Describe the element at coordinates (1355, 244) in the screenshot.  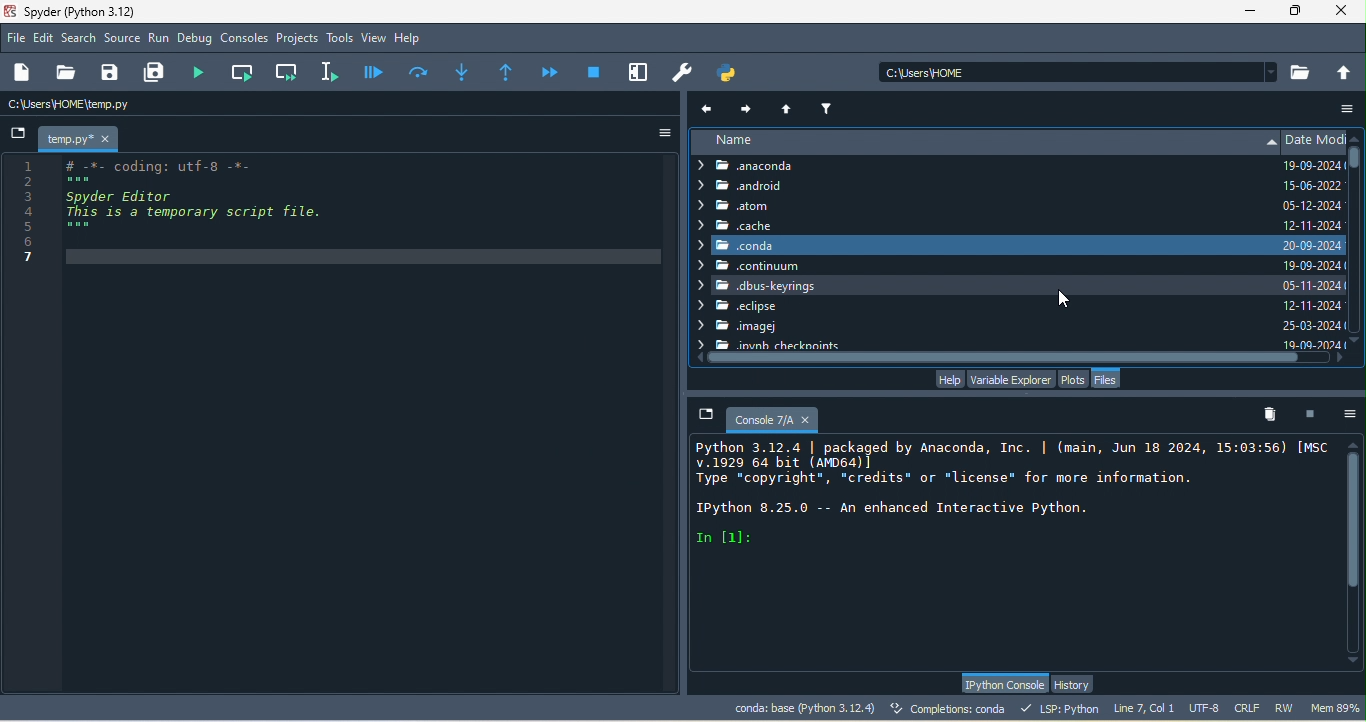
I see `vertical scroll bar` at that location.